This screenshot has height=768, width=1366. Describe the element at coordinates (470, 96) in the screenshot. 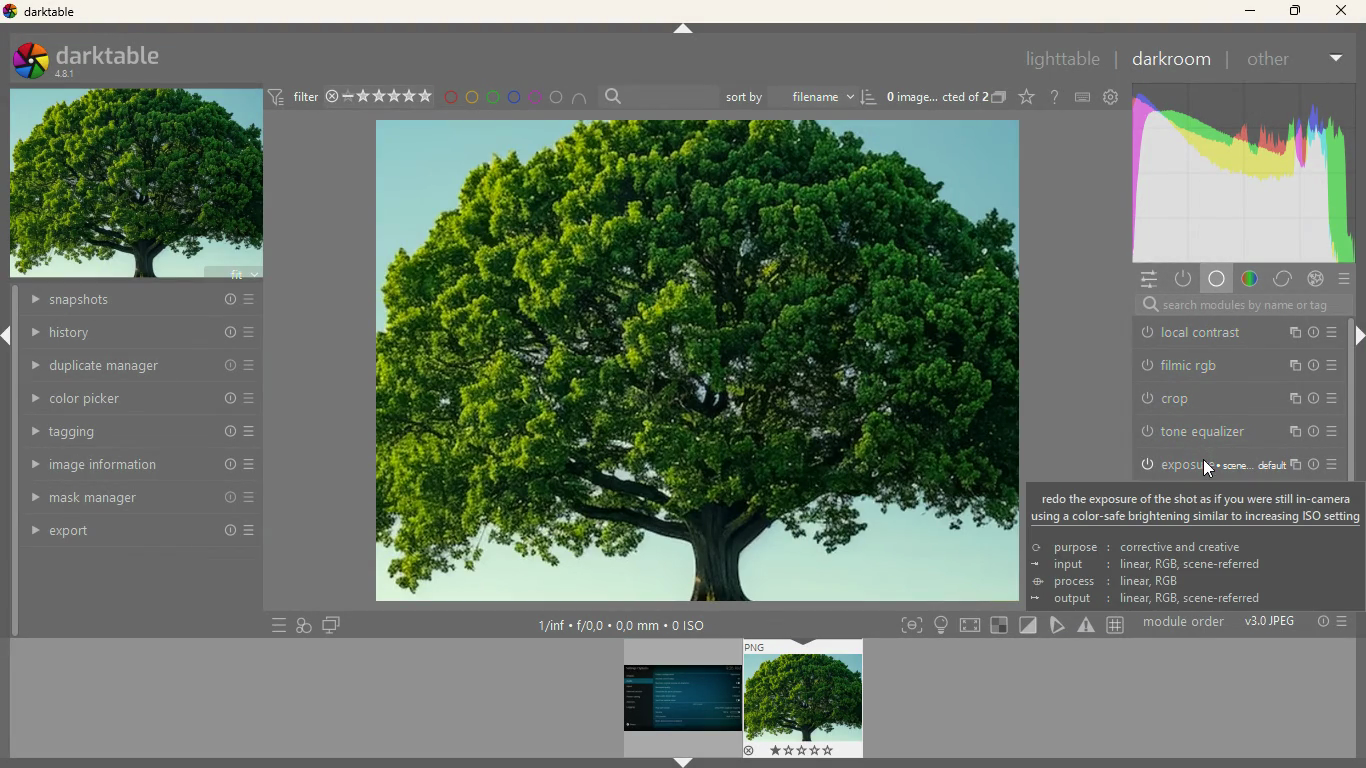

I see `yellow circle` at that location.